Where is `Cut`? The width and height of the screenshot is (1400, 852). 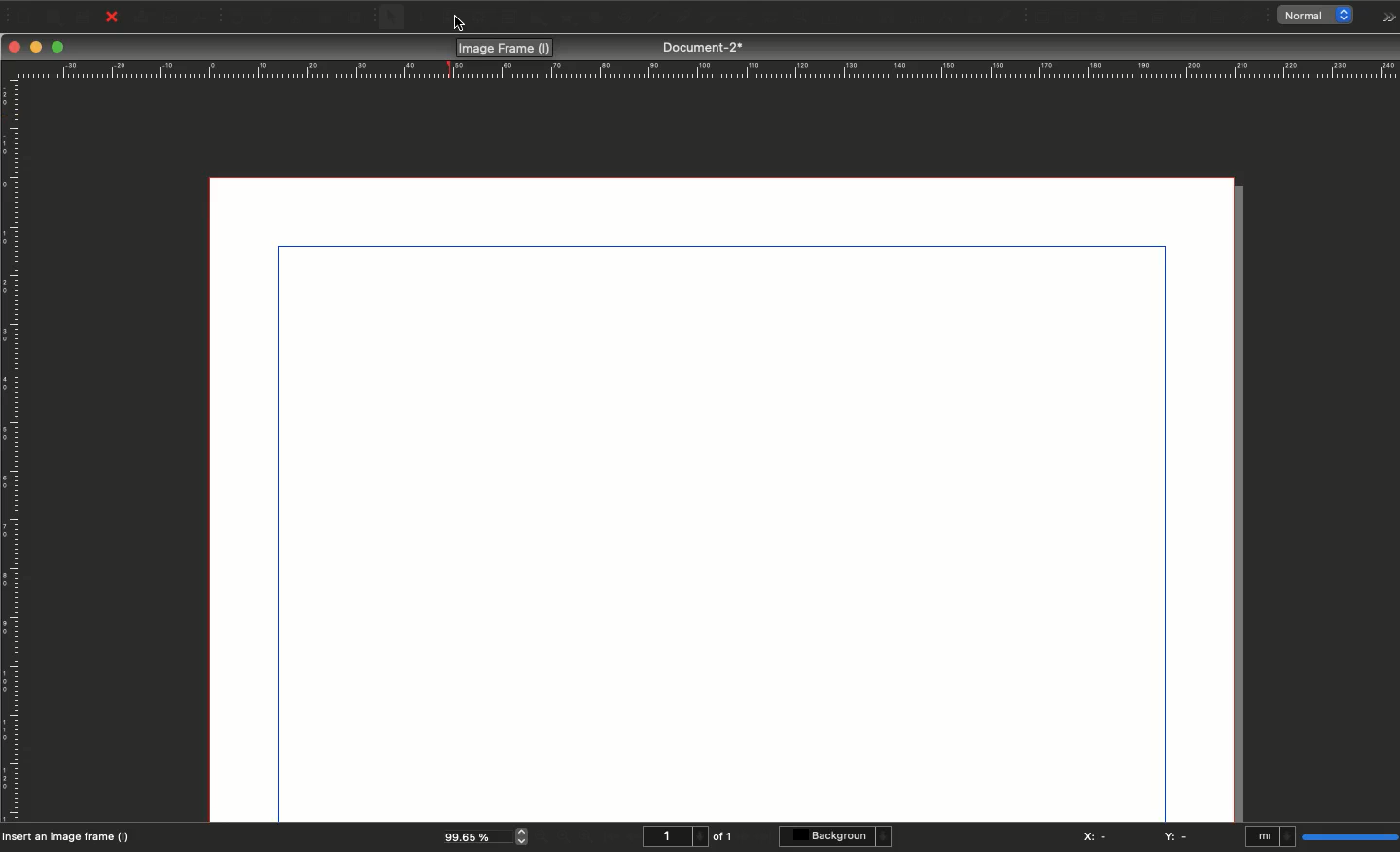 Cut is located at coordinates (296, 18).